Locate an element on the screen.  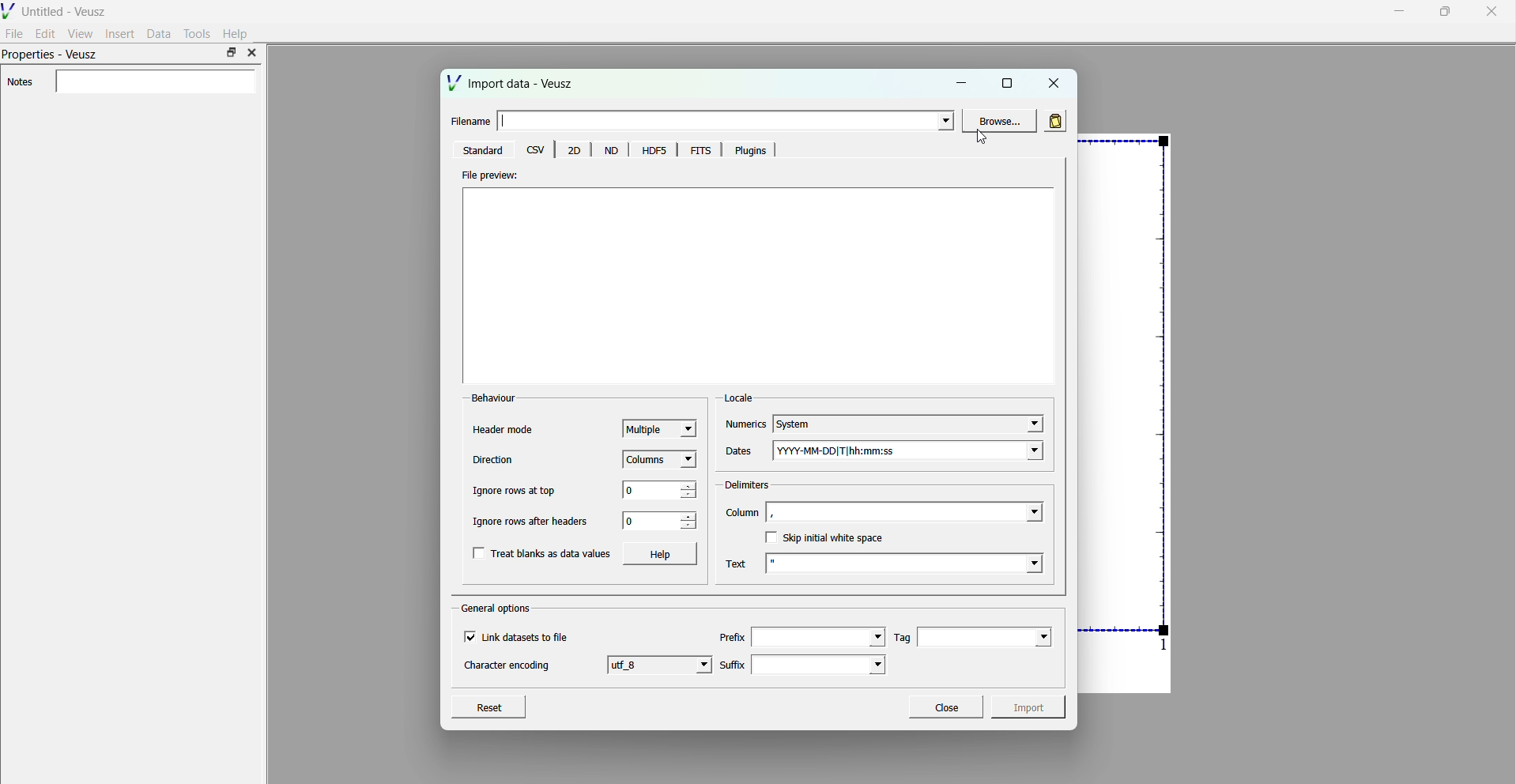
System is located at coordinates (909, 424).